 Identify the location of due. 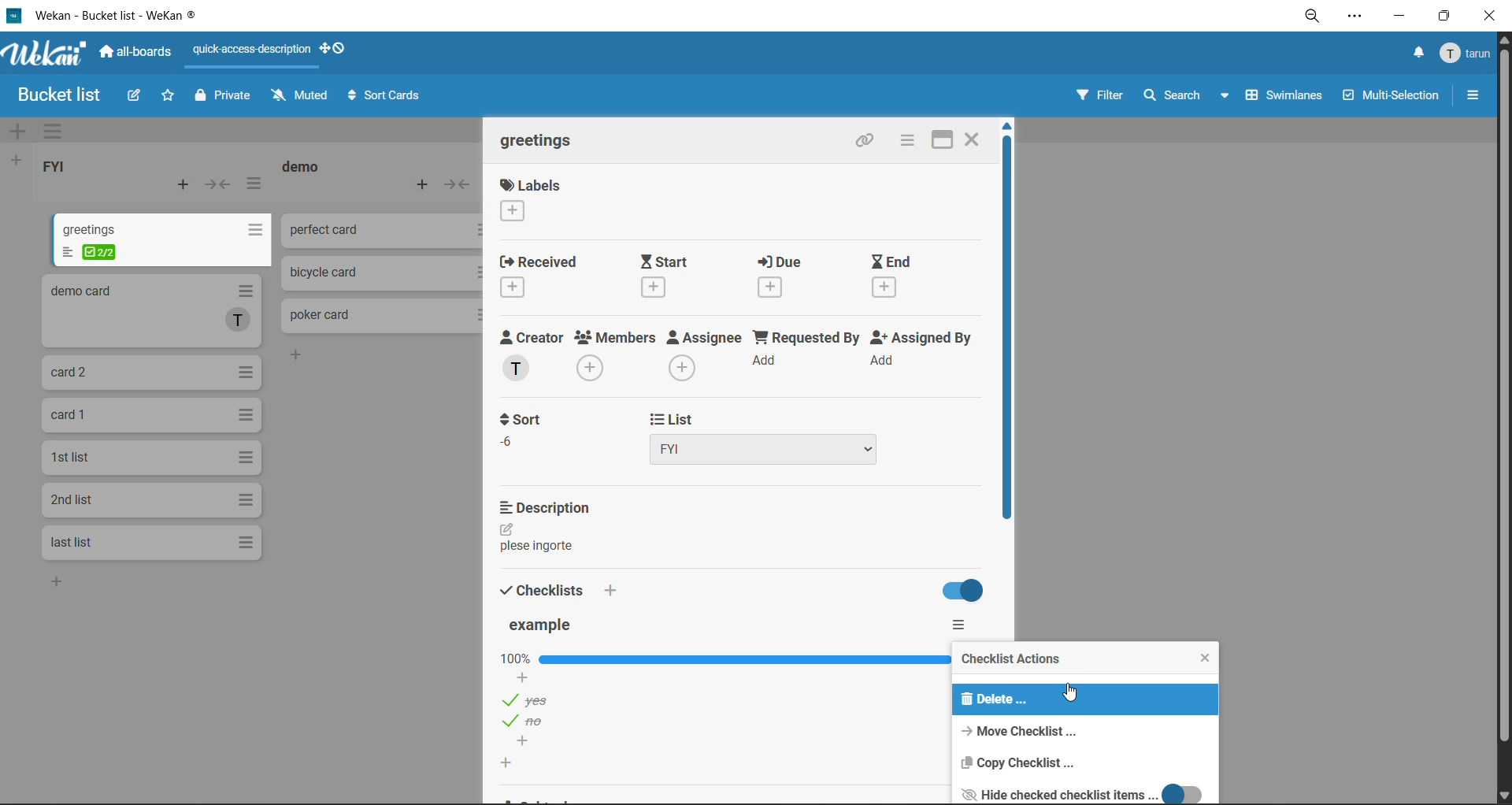
(783, 277).